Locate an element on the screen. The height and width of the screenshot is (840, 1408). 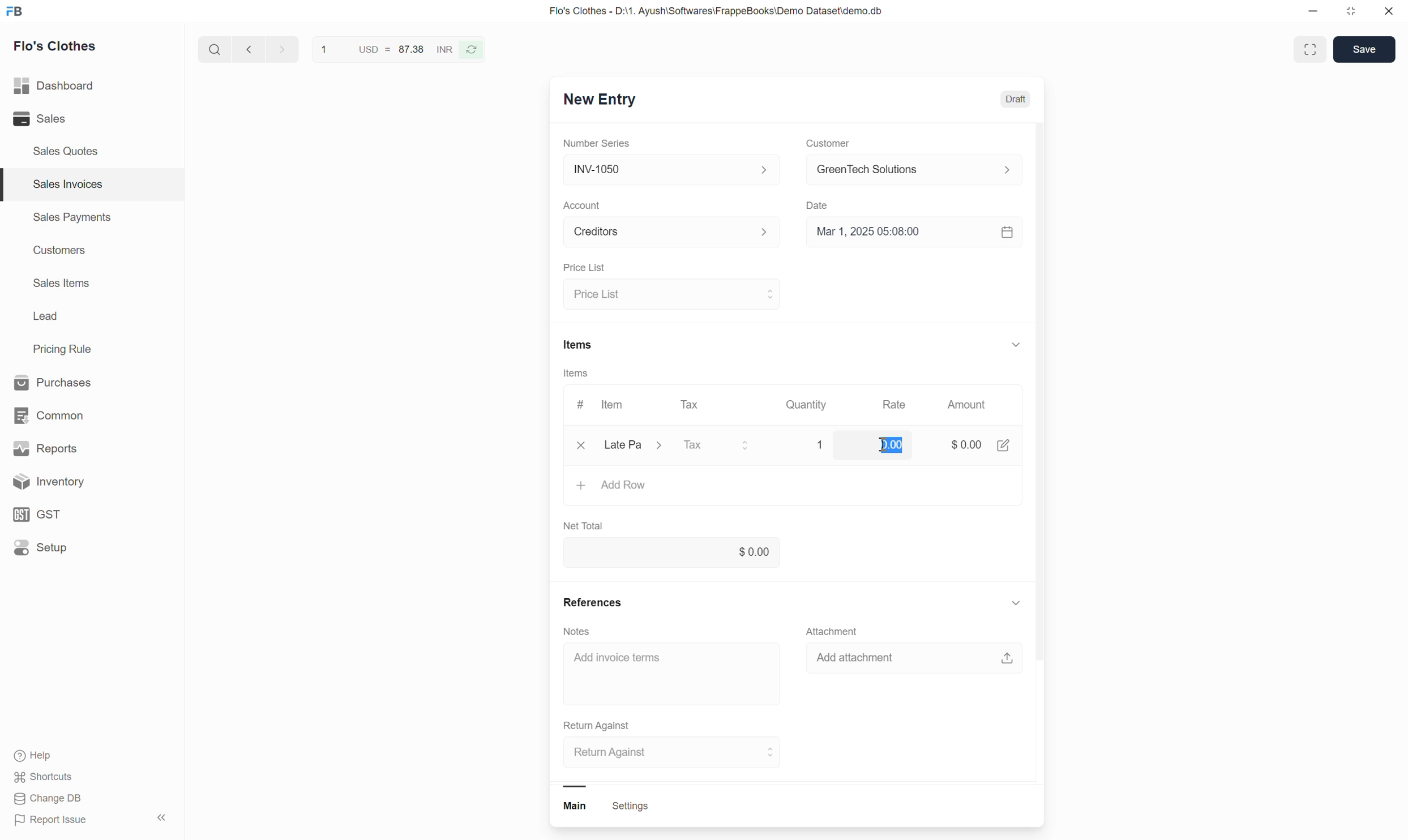
Sales  is located at coordinates (64, 119).